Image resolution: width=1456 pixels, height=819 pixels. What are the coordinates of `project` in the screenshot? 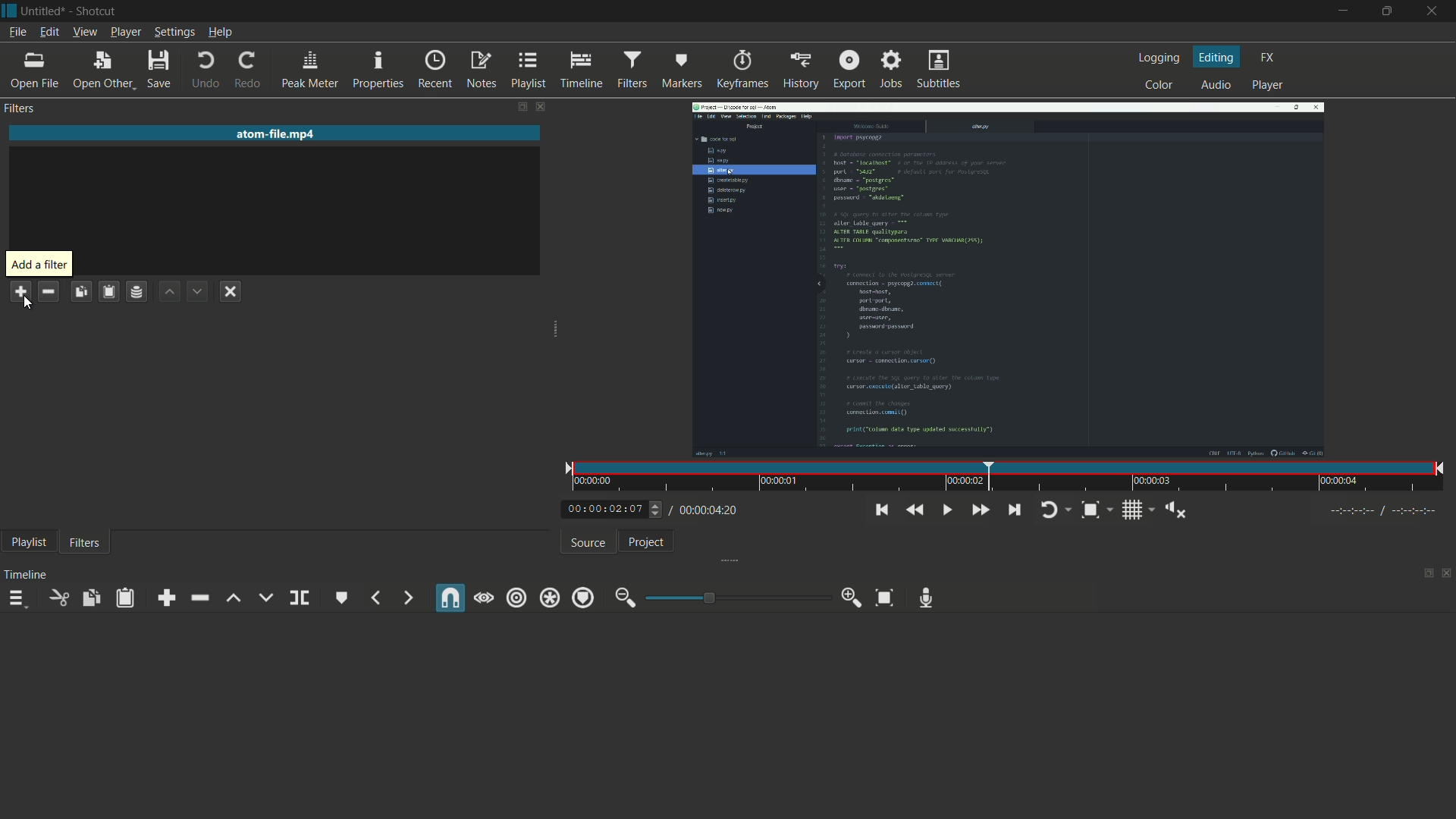 It's located at (647, 542).